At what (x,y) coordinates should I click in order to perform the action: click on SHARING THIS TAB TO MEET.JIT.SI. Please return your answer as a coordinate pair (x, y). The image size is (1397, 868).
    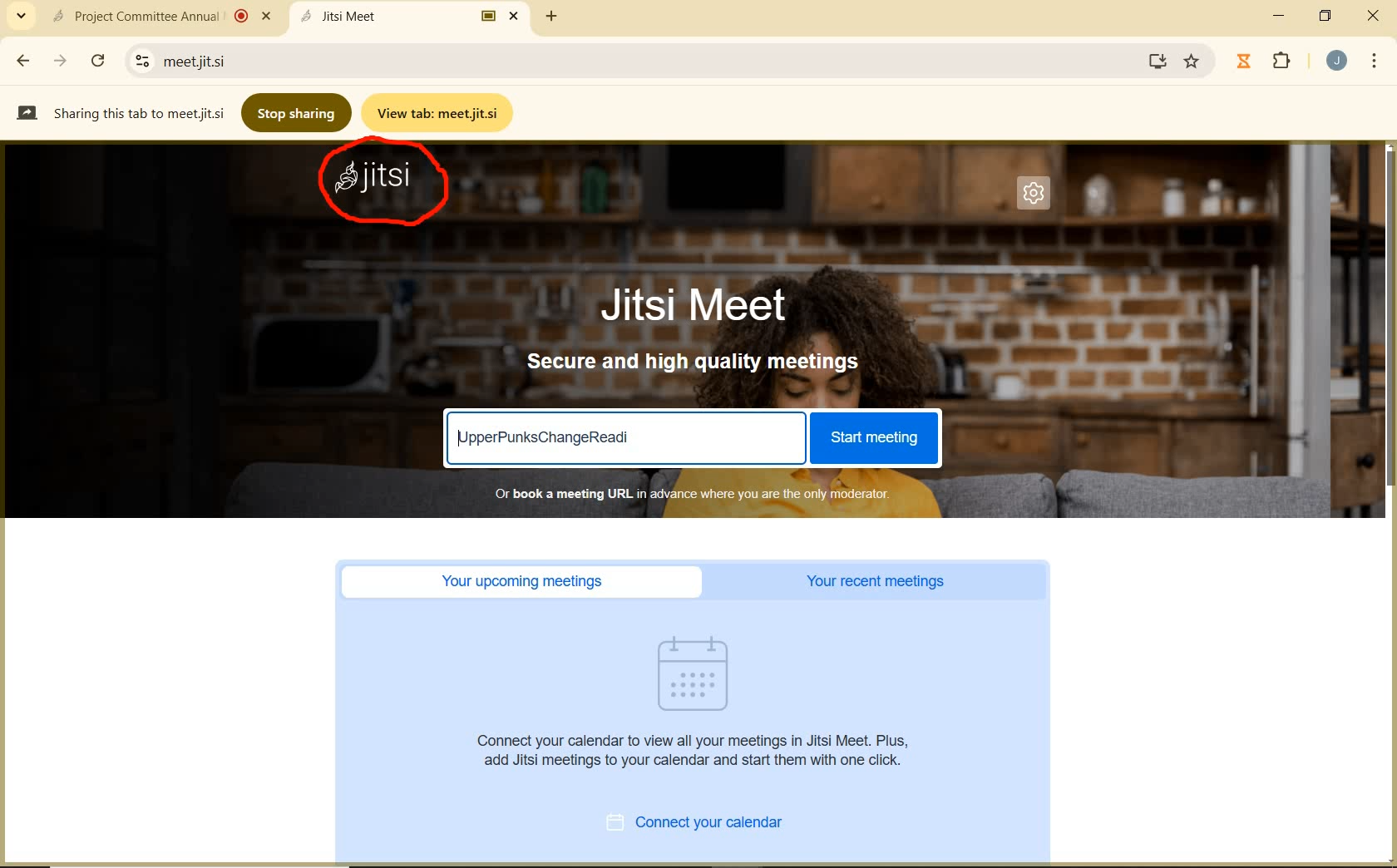
    Looking at the image, I should click on (120, 112).